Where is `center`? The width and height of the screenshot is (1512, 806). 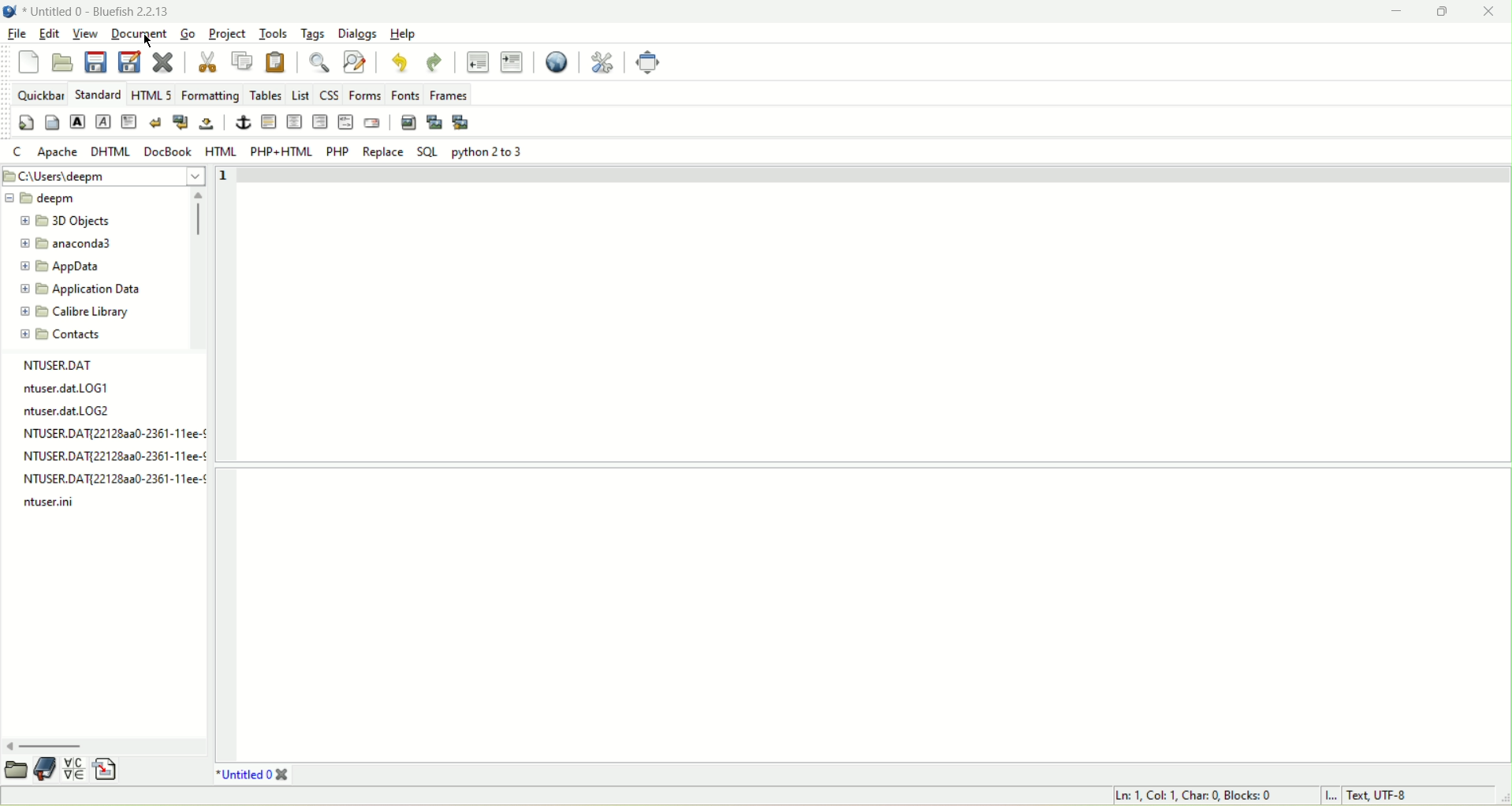
center is located at coordinates (319, 121).